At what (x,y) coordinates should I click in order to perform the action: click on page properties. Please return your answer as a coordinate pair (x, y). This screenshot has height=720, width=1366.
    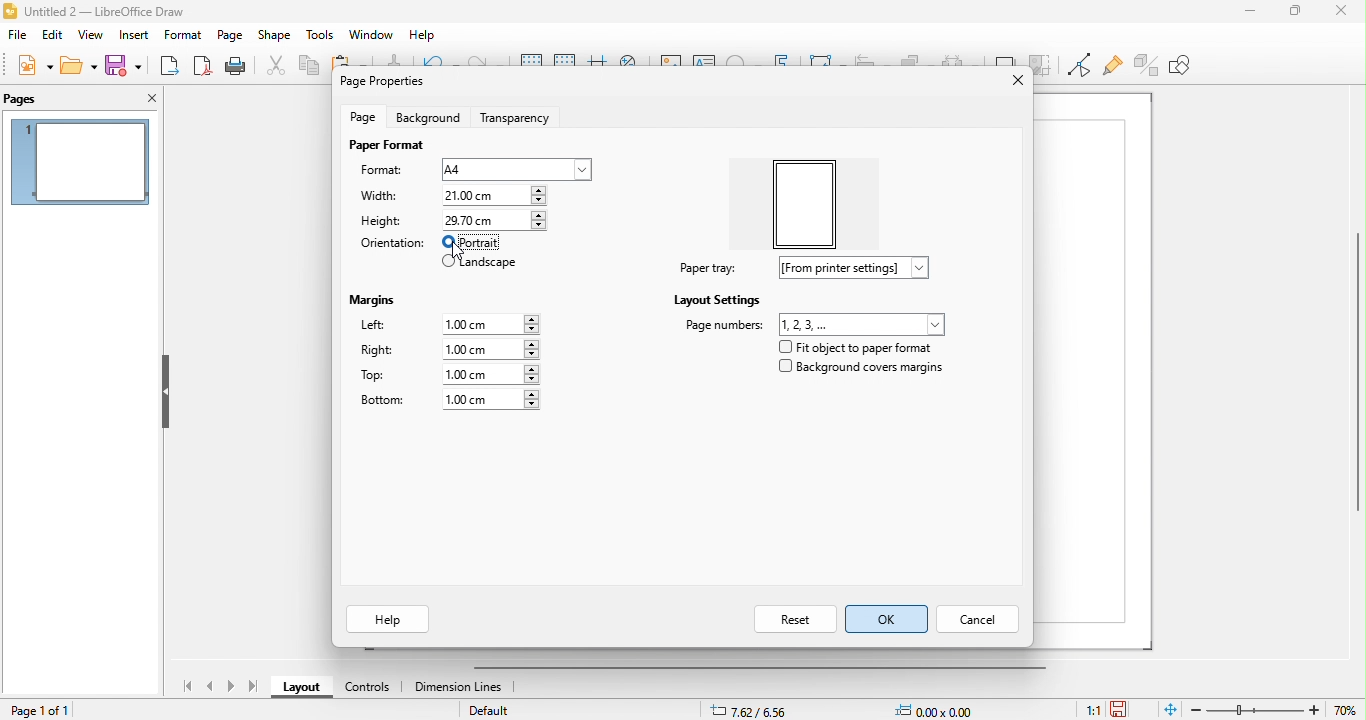
    Looking at the image, I should click on (380, 81).